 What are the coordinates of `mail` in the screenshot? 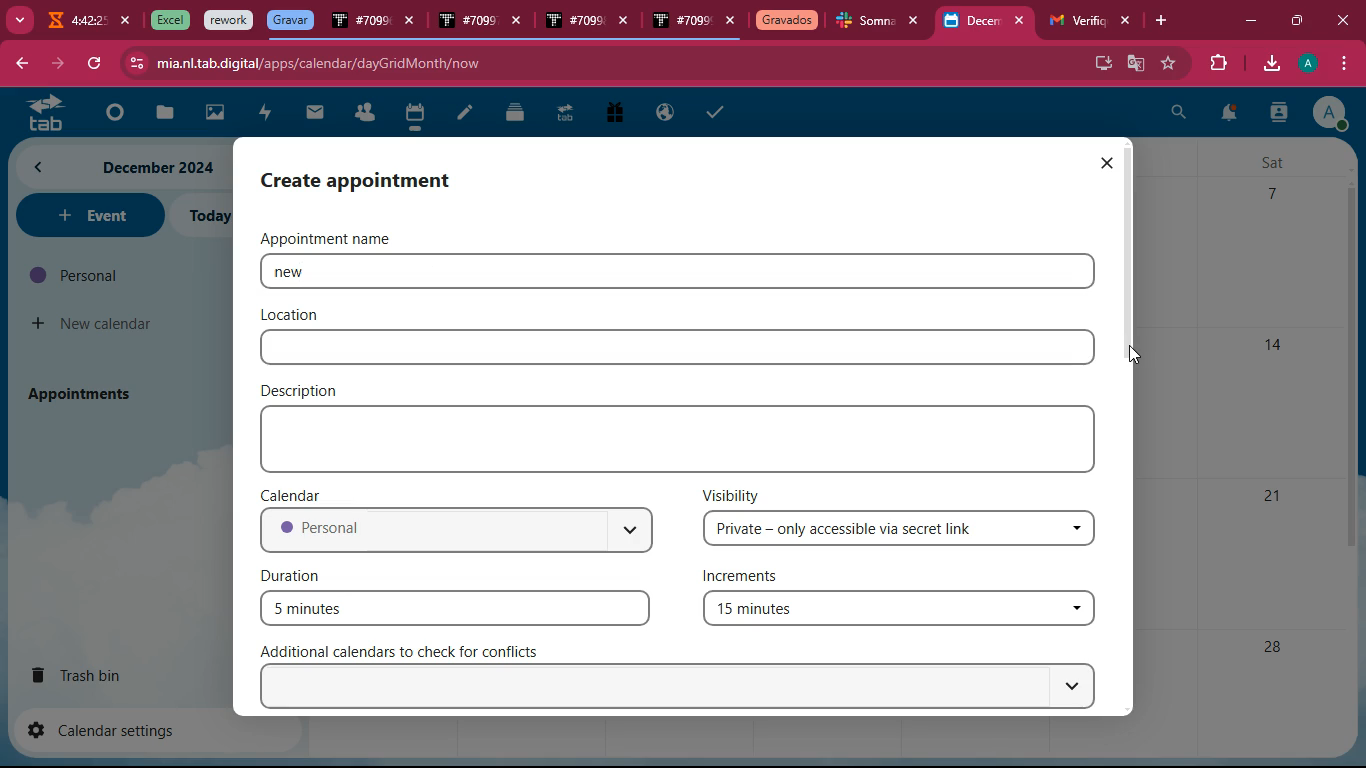 It's located at (315, 113).